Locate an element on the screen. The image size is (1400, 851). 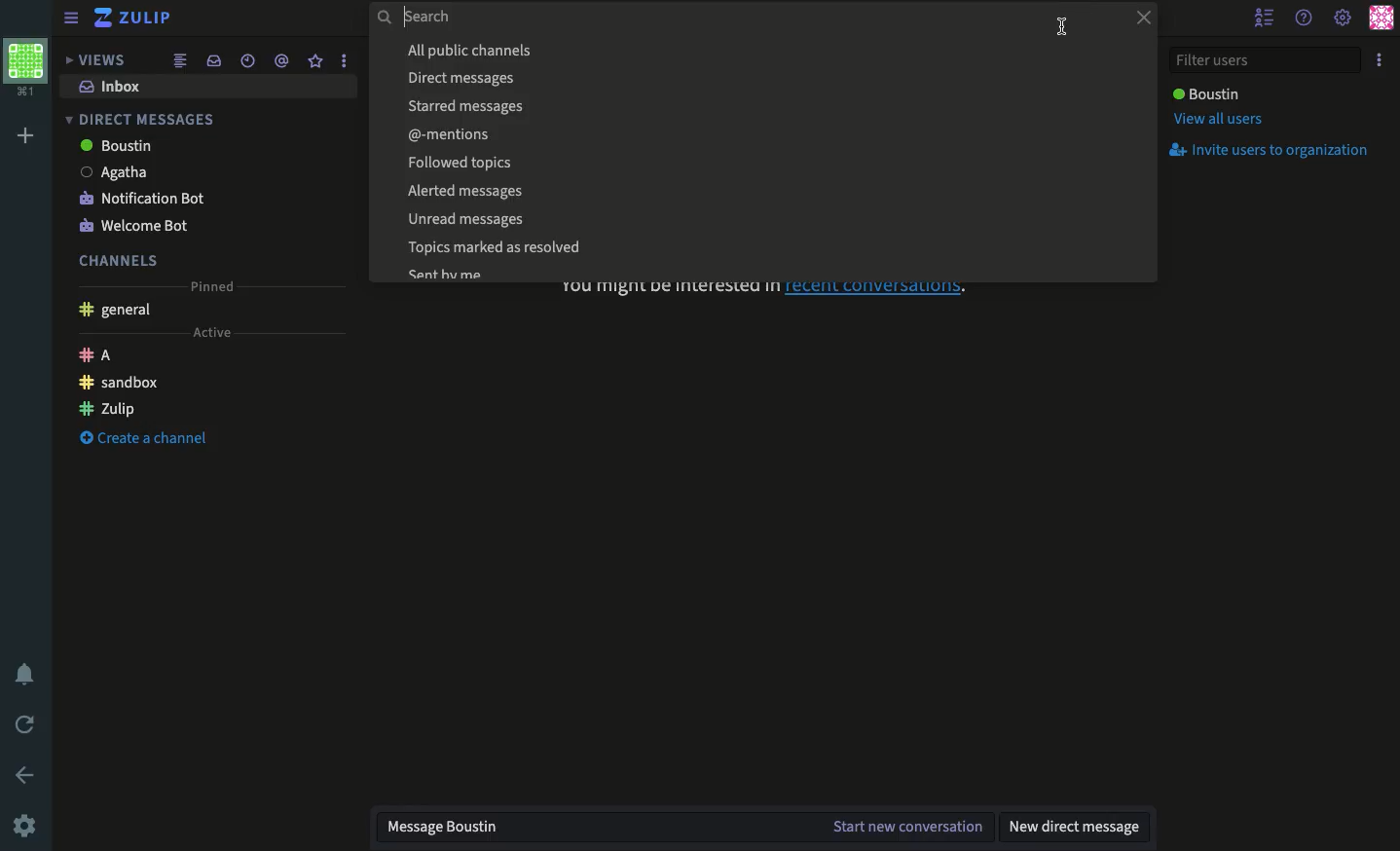
Welcome bot is located at coordinates (137, 228).